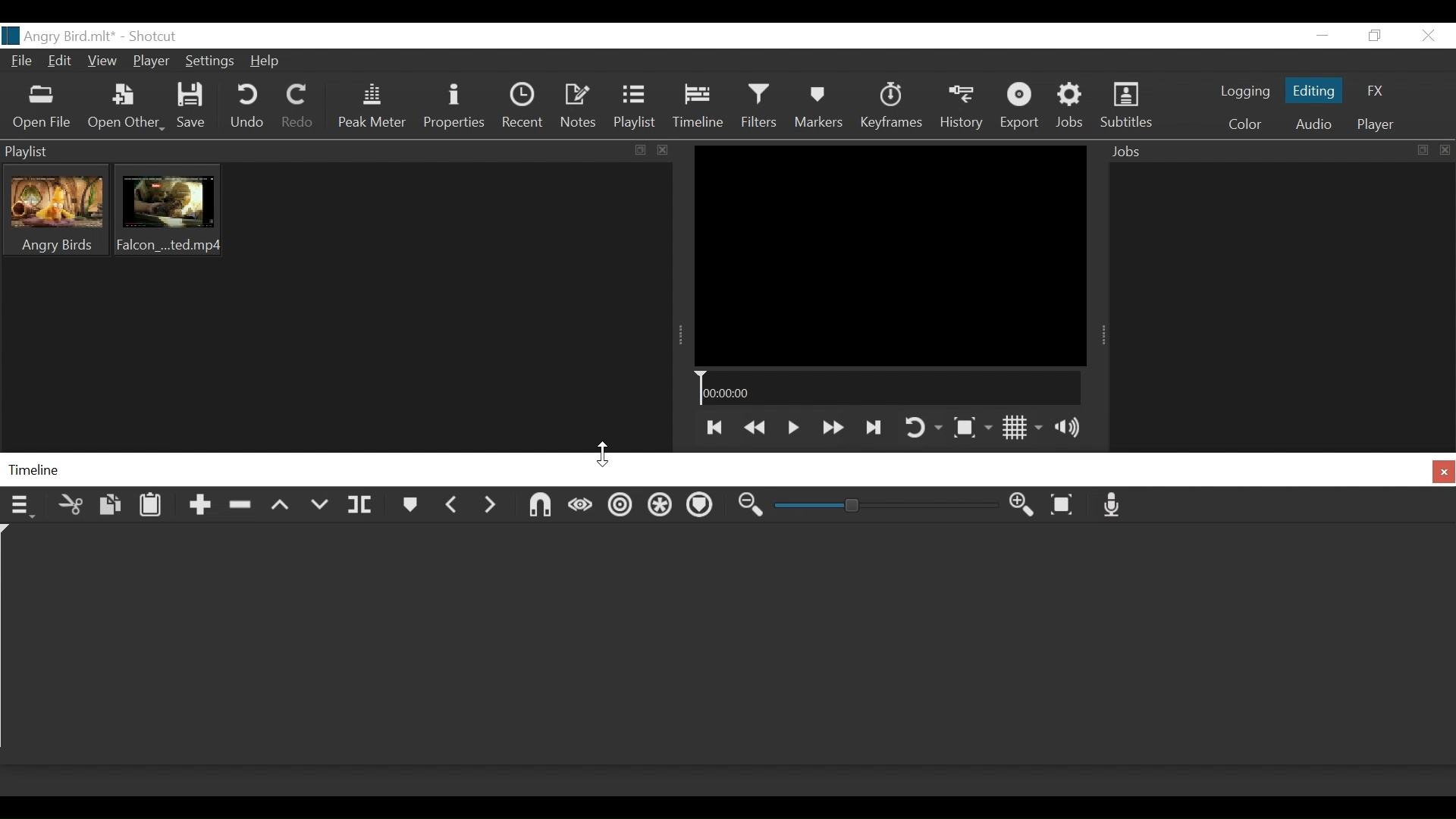  What do you see at coordinates (281, 510) in the screenshot?
I see `Lift` at bounding box center [281, 510].